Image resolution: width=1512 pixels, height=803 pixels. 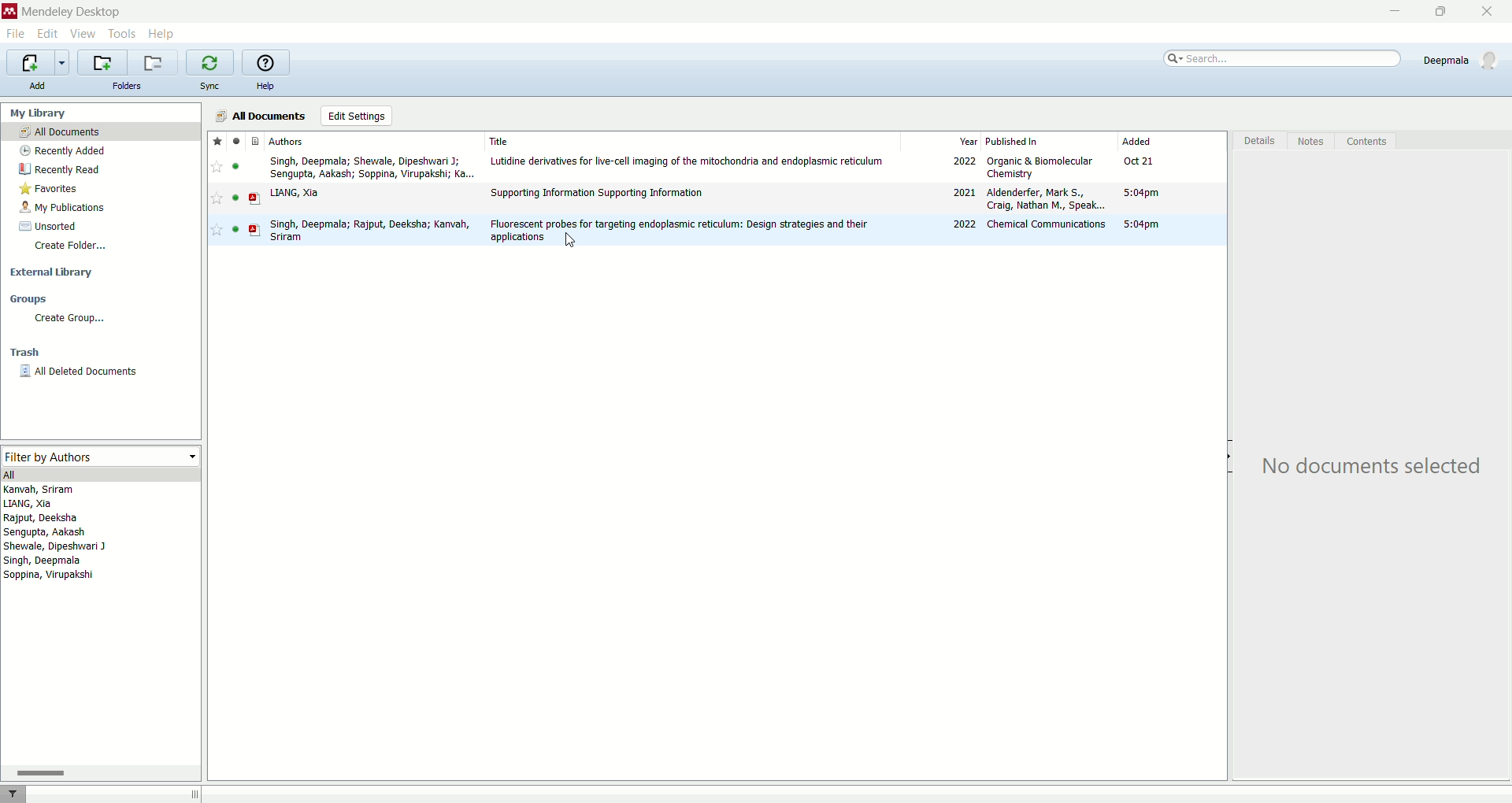 I want to click on added, so click(x=1169, y=141).